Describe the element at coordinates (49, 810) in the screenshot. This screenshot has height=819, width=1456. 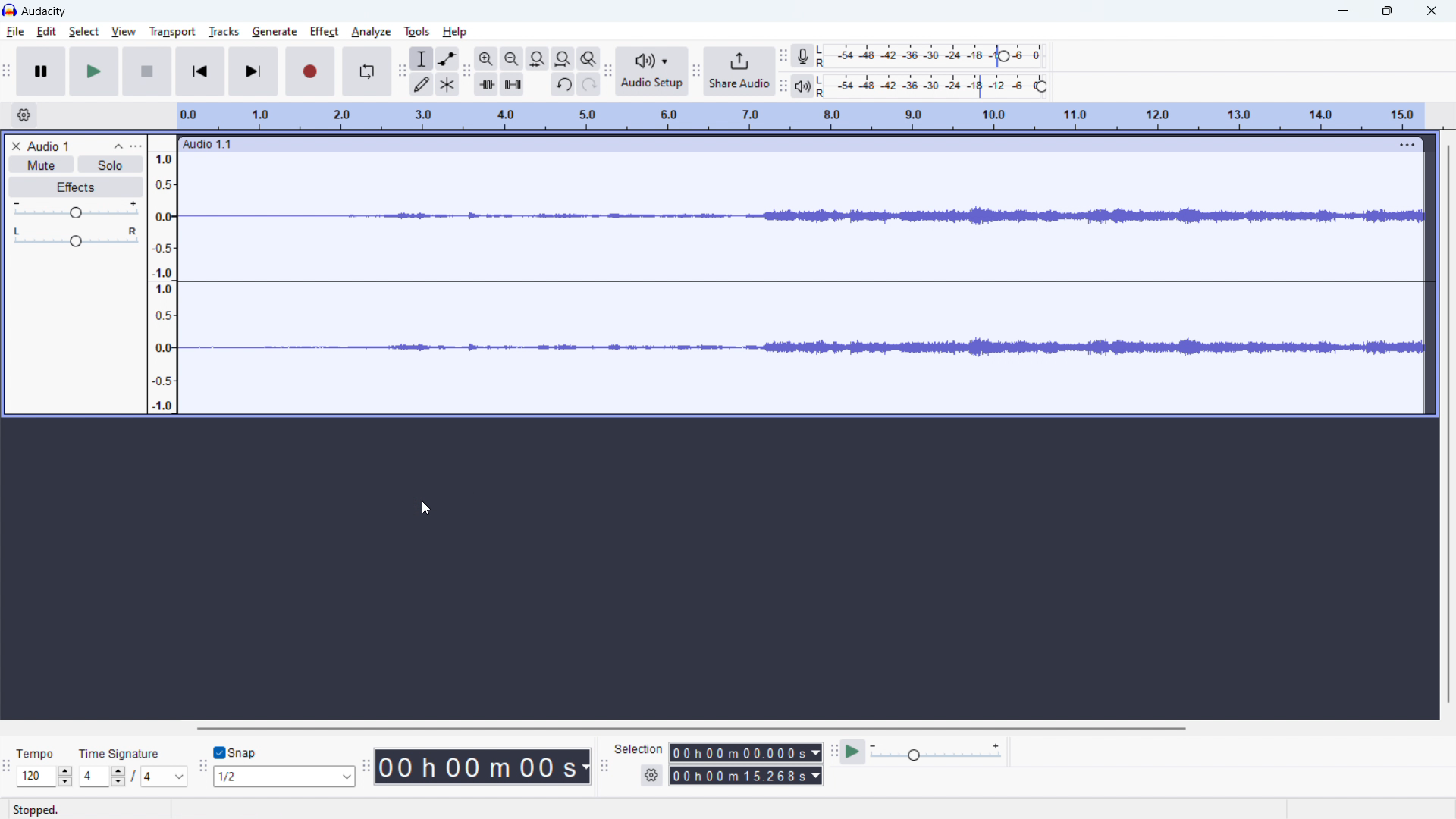
I see `Stopped` at that location.